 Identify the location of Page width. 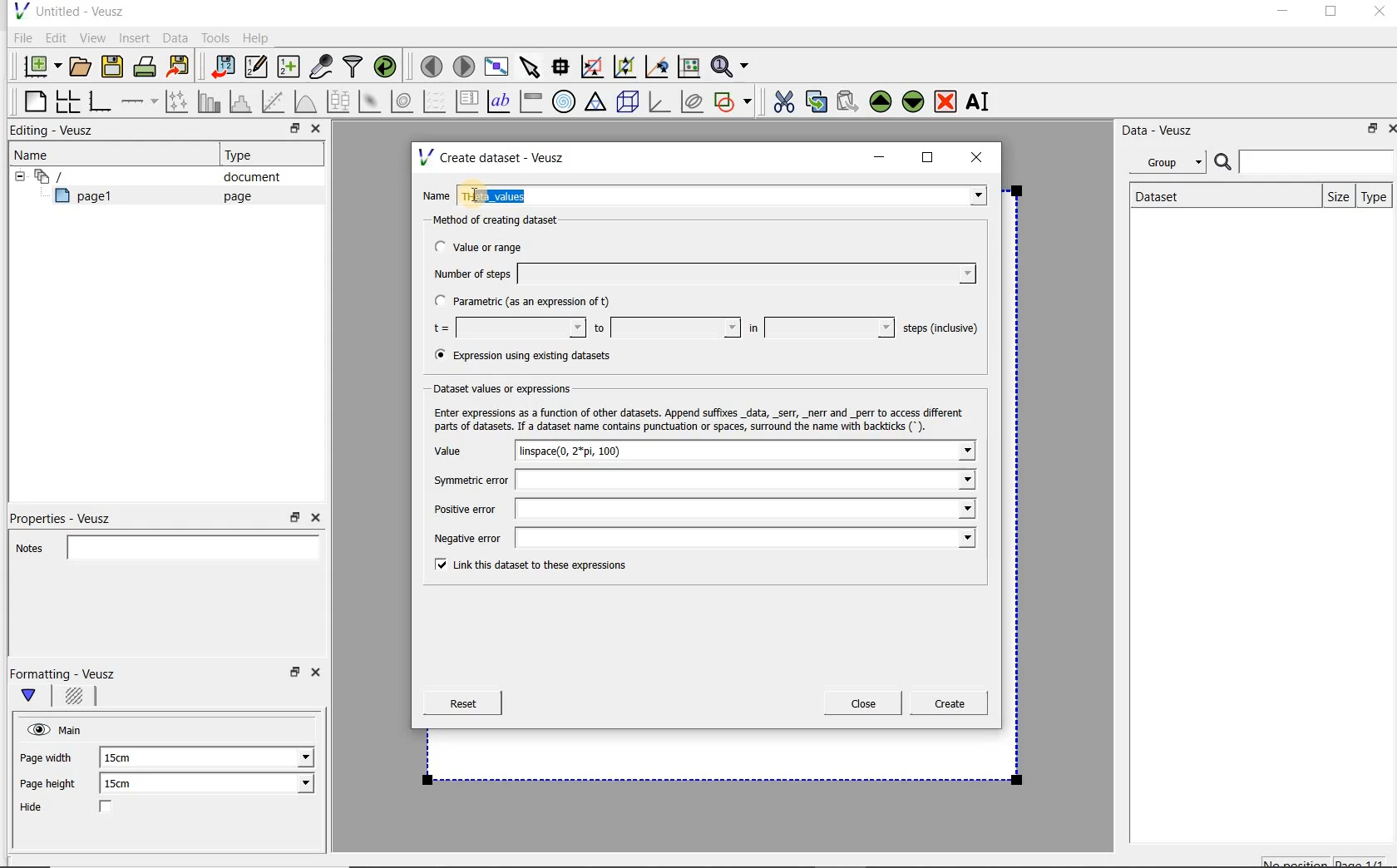
(47, 755).